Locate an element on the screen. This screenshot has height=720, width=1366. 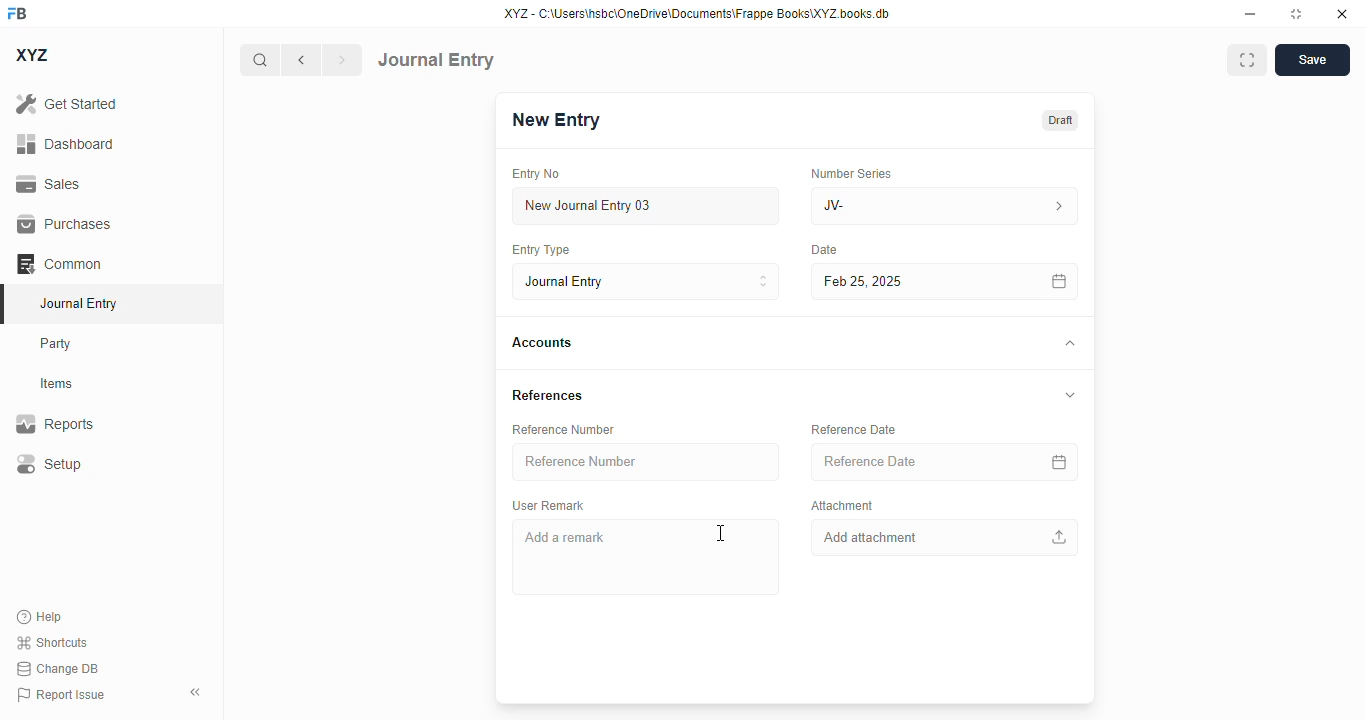
accounts is located at coordinates (542, 343).